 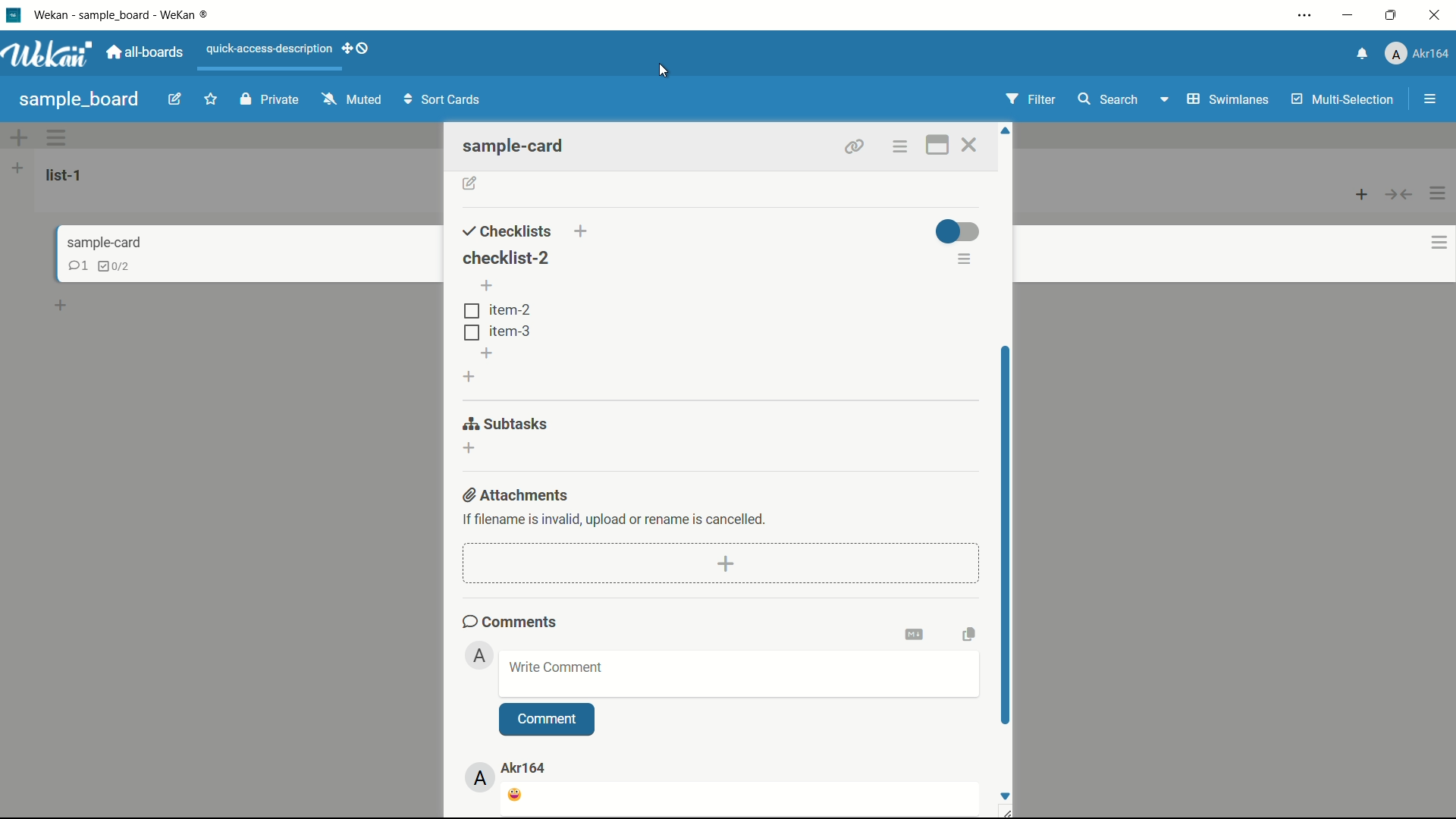 I want to click on card name, so click(x=102, y=243).